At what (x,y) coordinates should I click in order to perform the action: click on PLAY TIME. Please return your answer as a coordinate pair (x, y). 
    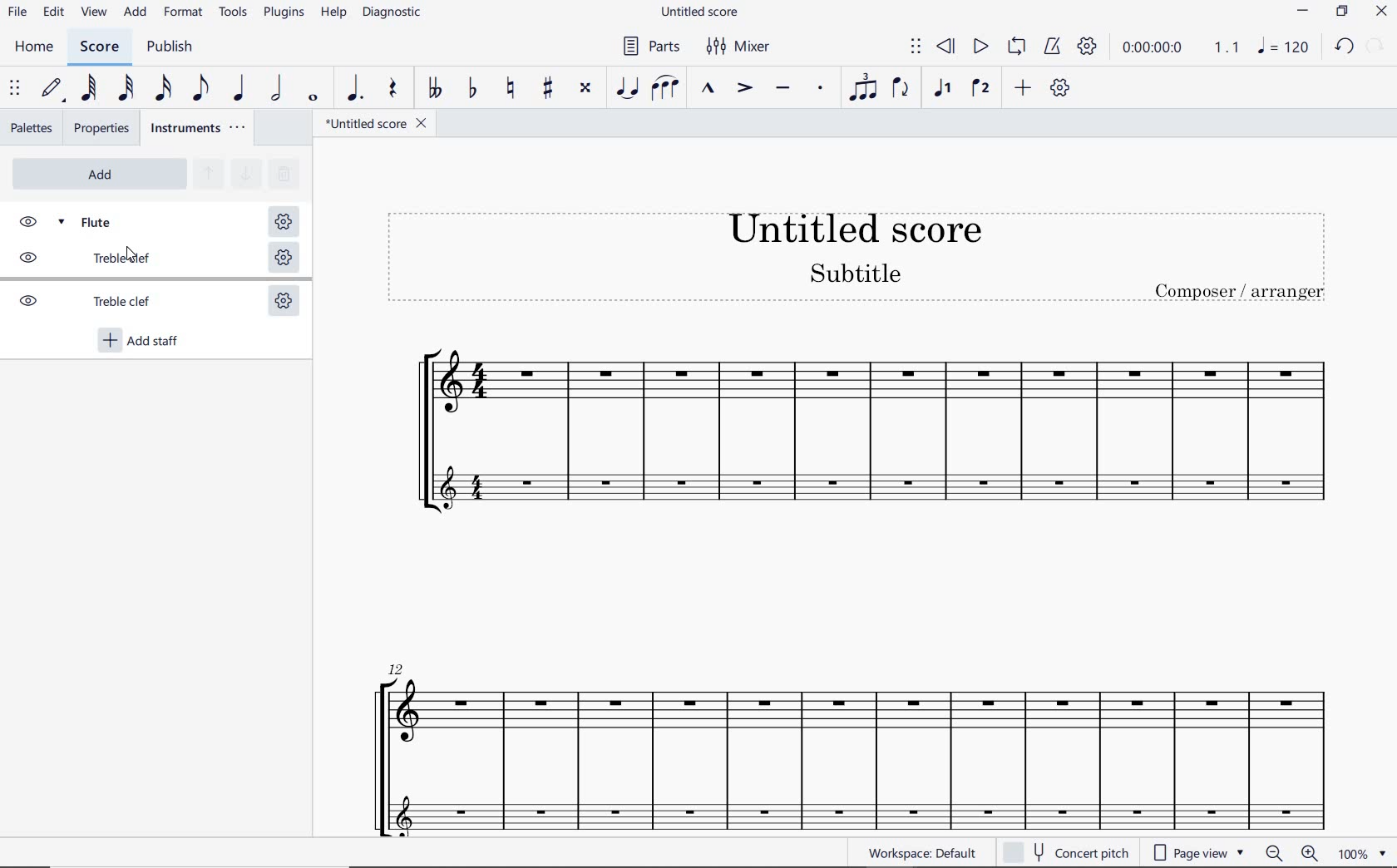
    Looking at the image, I should click on (1178, 47).